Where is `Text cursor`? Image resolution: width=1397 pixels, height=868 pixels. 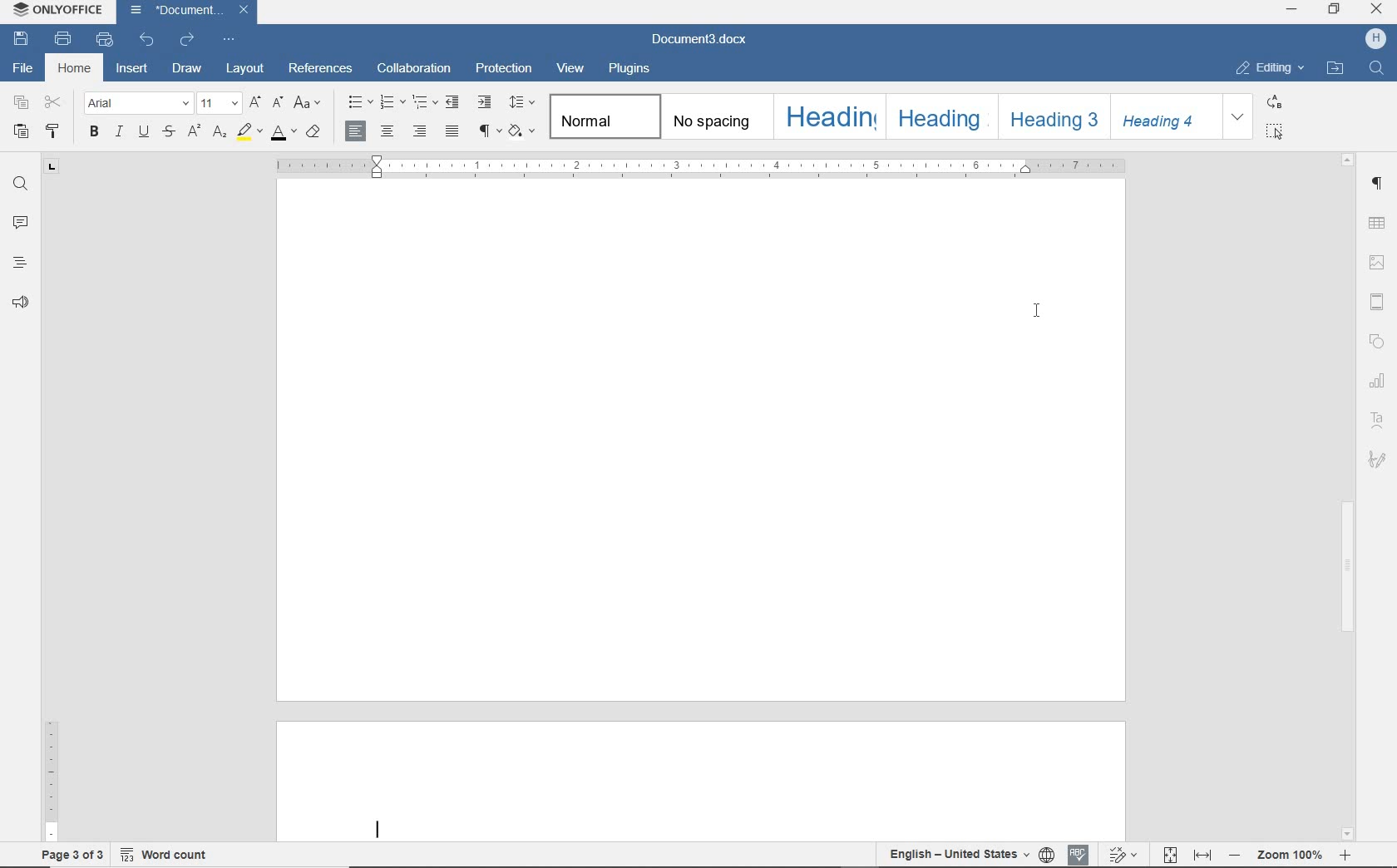
Text cursor is located at coordinates (1039, 315).